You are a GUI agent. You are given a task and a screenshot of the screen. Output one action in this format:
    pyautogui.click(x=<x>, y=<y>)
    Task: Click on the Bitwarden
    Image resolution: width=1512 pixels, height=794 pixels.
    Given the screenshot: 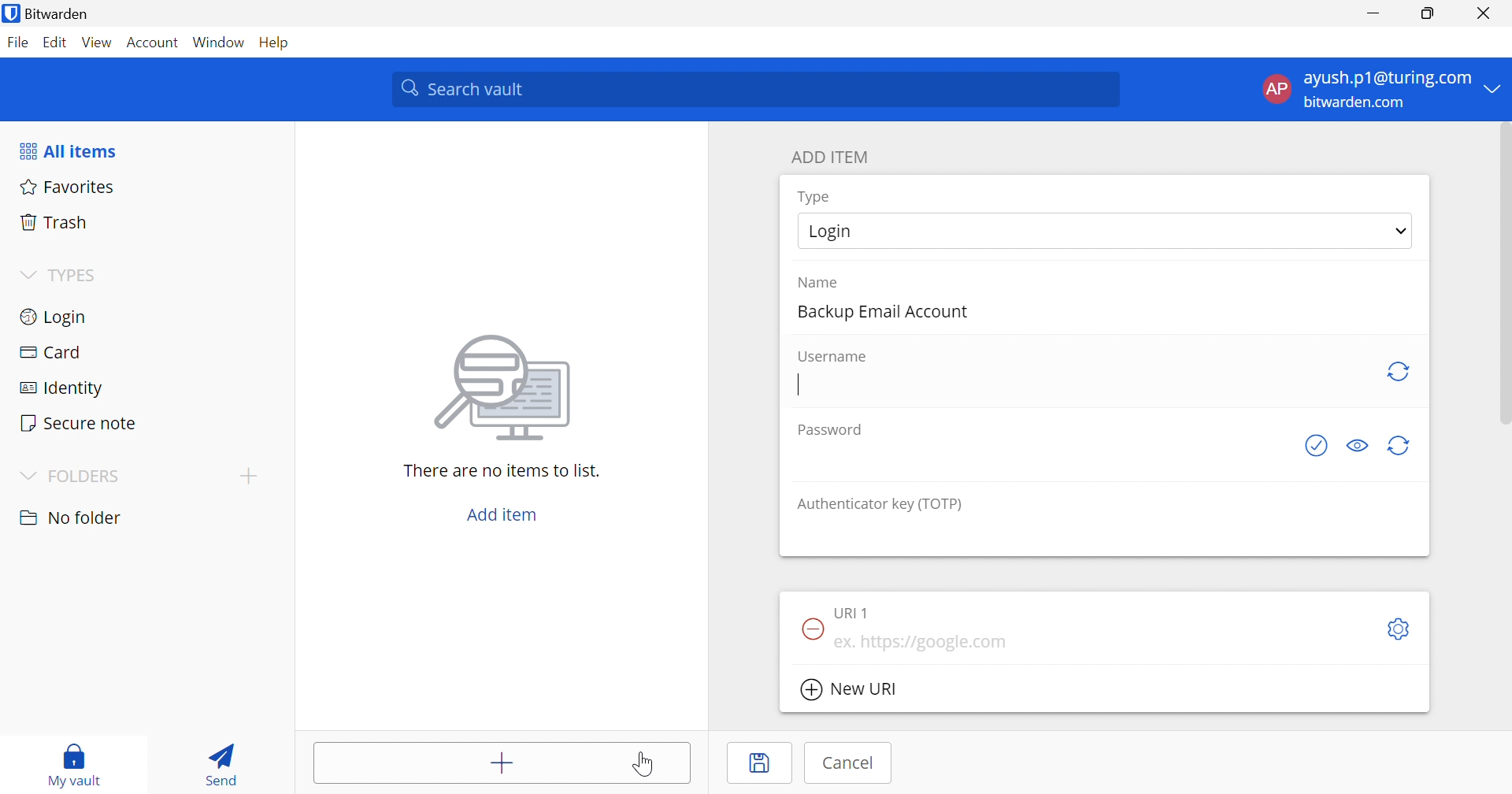 What is the action you would take?
    pyautogui.click(x=57, y=13)
    